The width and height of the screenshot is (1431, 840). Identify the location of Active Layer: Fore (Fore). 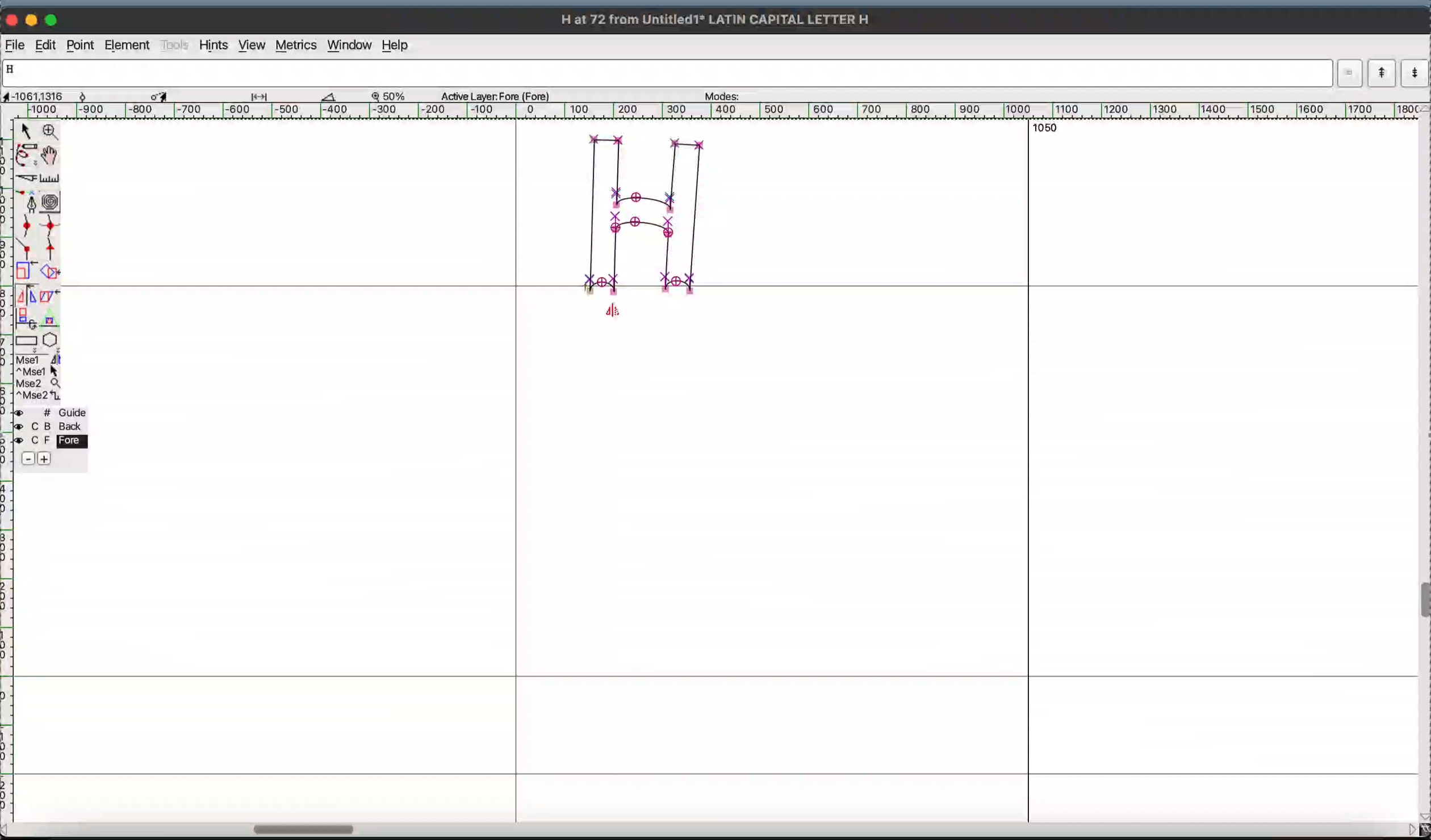
(491, 96).